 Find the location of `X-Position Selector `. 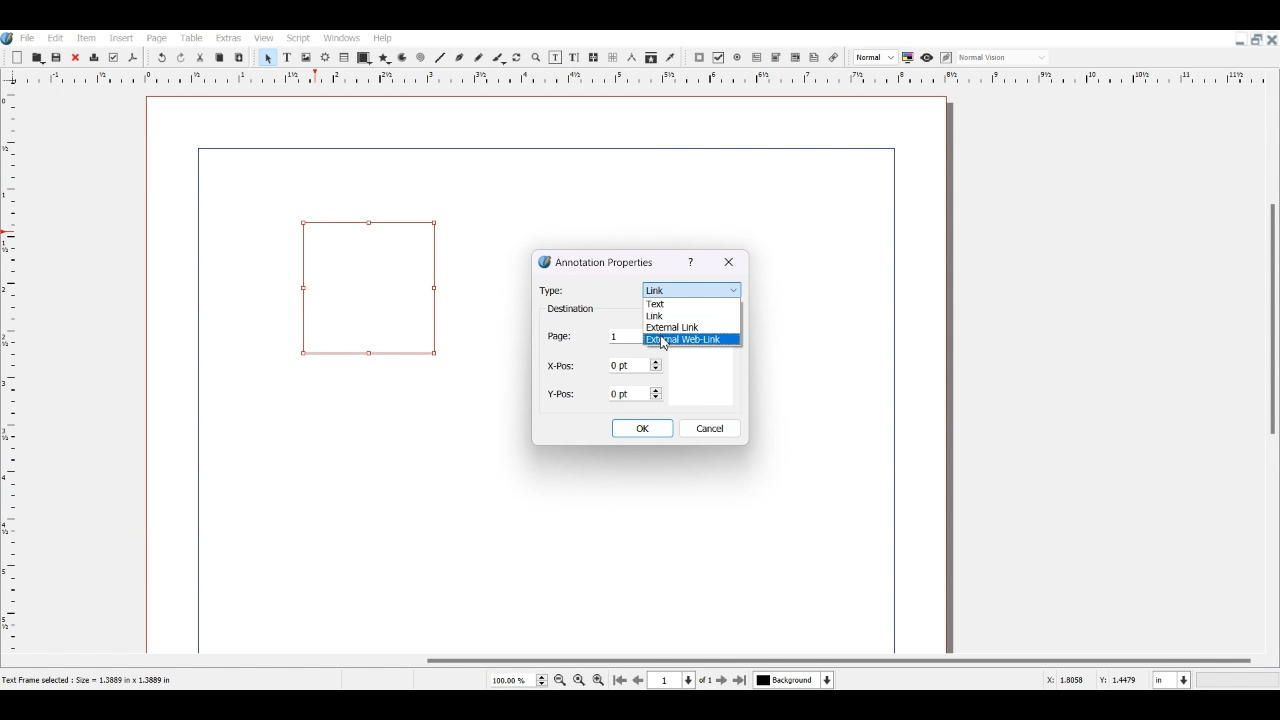

X-Position Selector  is located at coordinates (604, 365).